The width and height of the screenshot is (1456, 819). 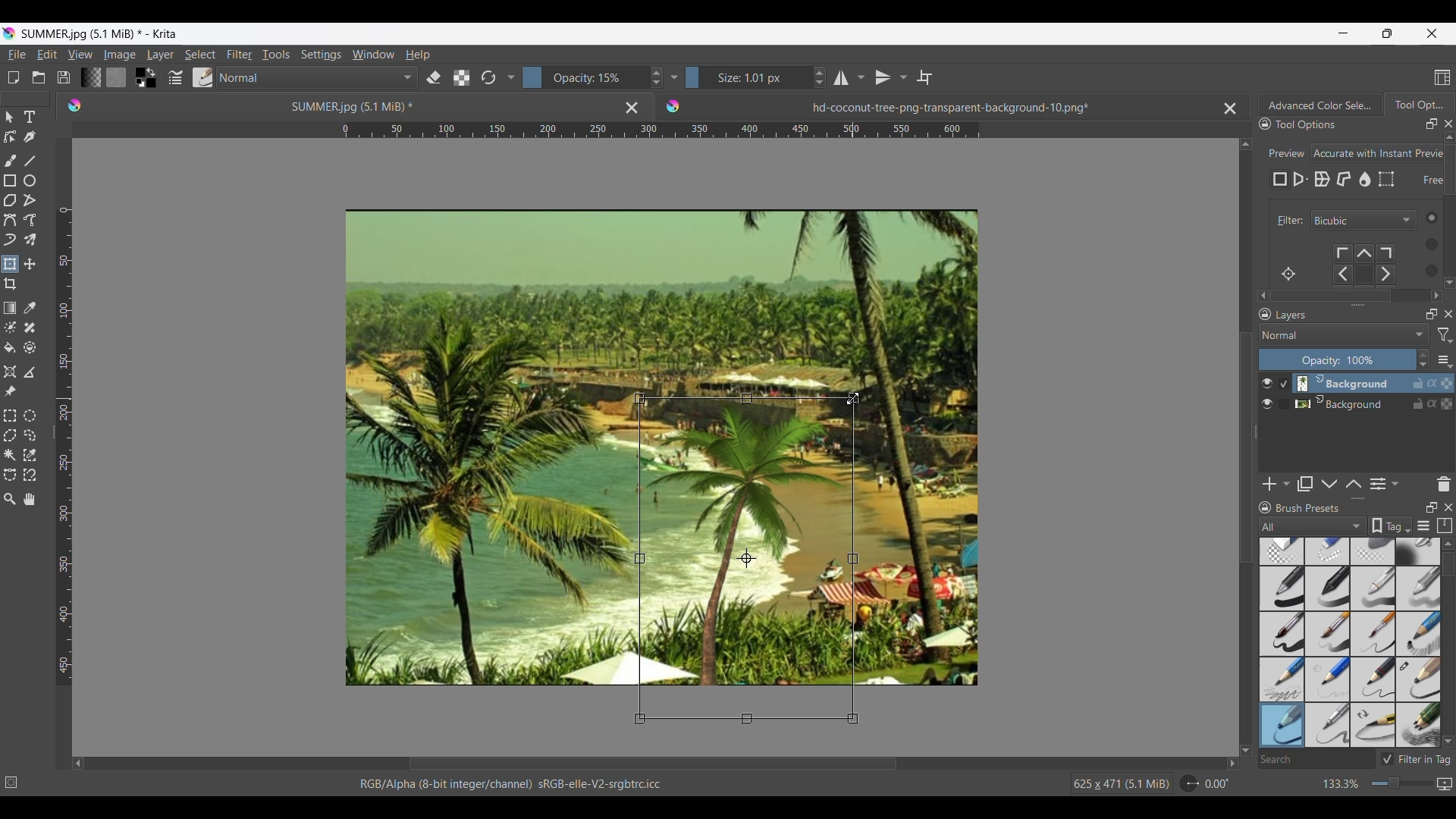 What do you see at coordinates (1320, 105) in the screenshot?
I see `Advanced color selector panel` at bounding box center [1320, 105].